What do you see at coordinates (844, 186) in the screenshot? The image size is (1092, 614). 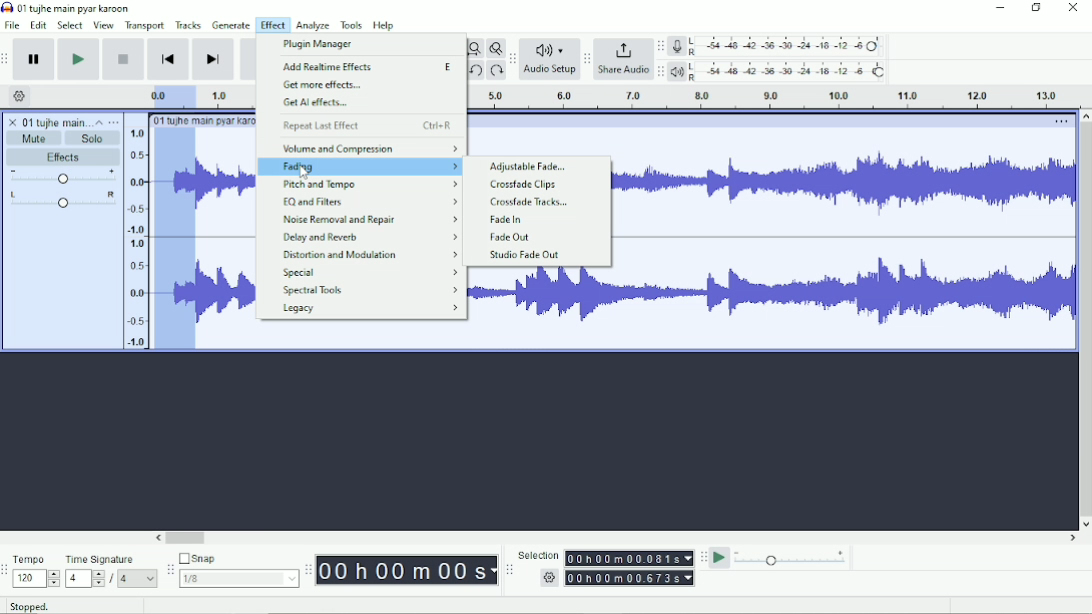 I see `Audio Waves` at bounding box center [844, 186].